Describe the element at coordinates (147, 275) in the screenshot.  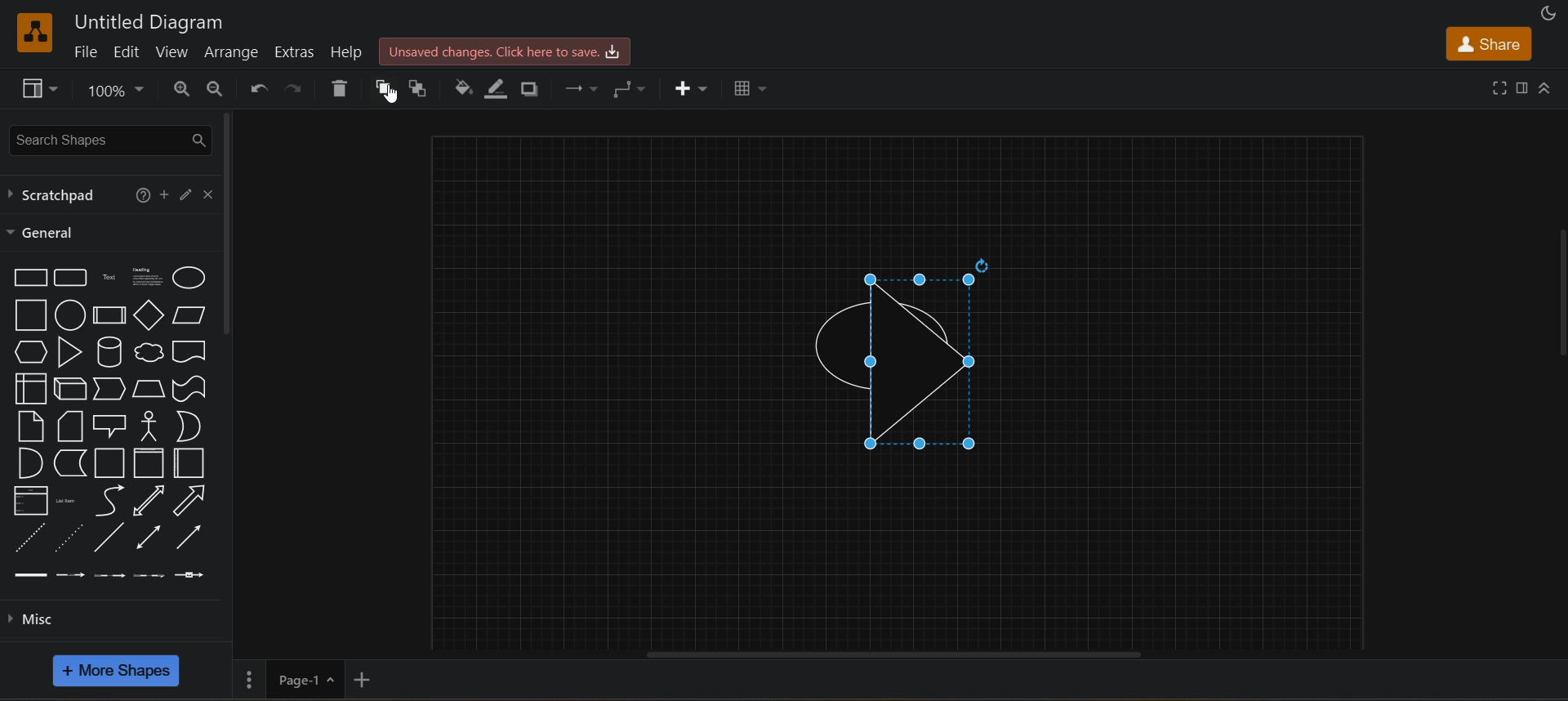
I see `text box` at that location.